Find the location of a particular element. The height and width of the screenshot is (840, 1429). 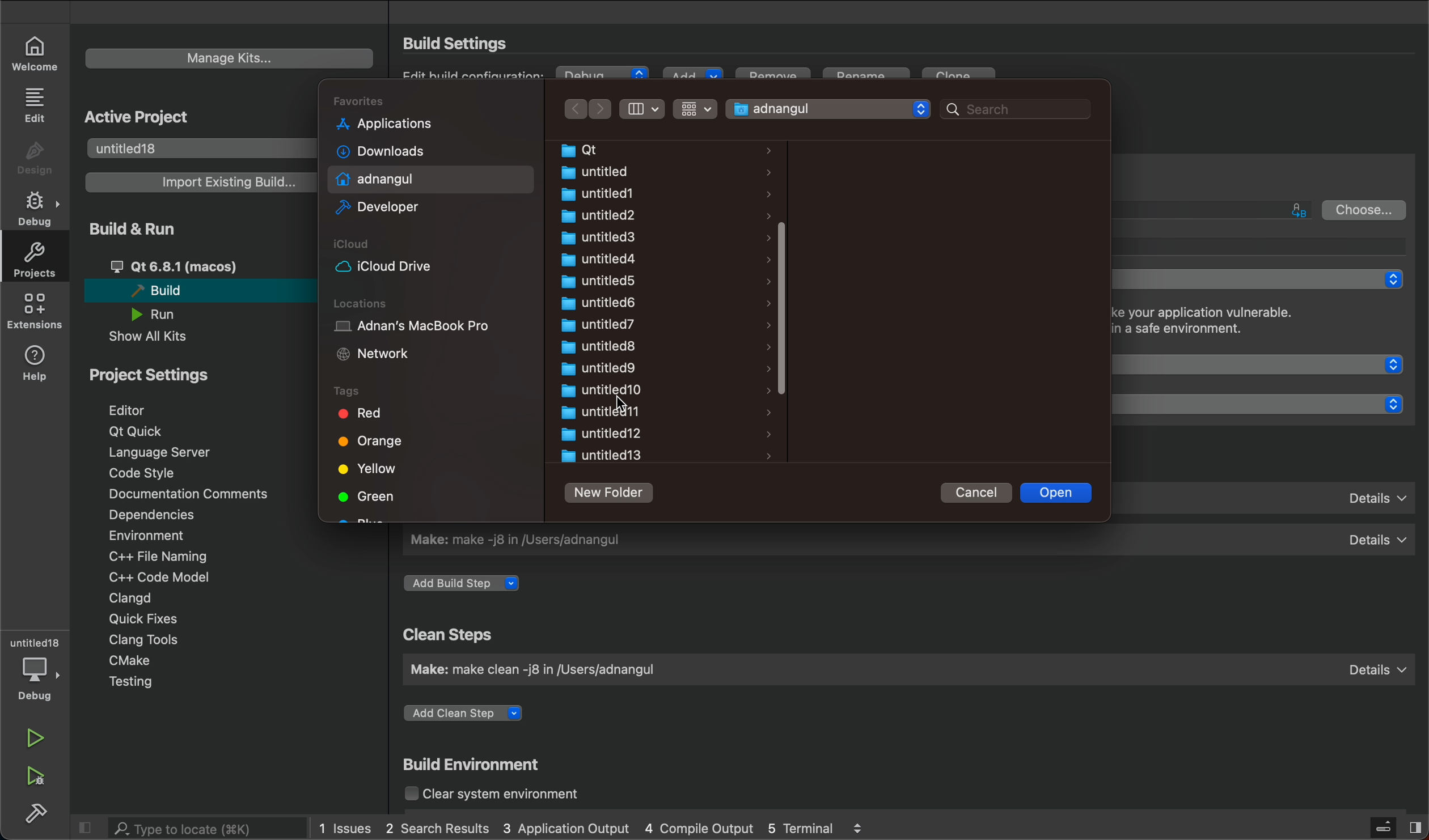

clean steps is located at coordinates (445, 633).